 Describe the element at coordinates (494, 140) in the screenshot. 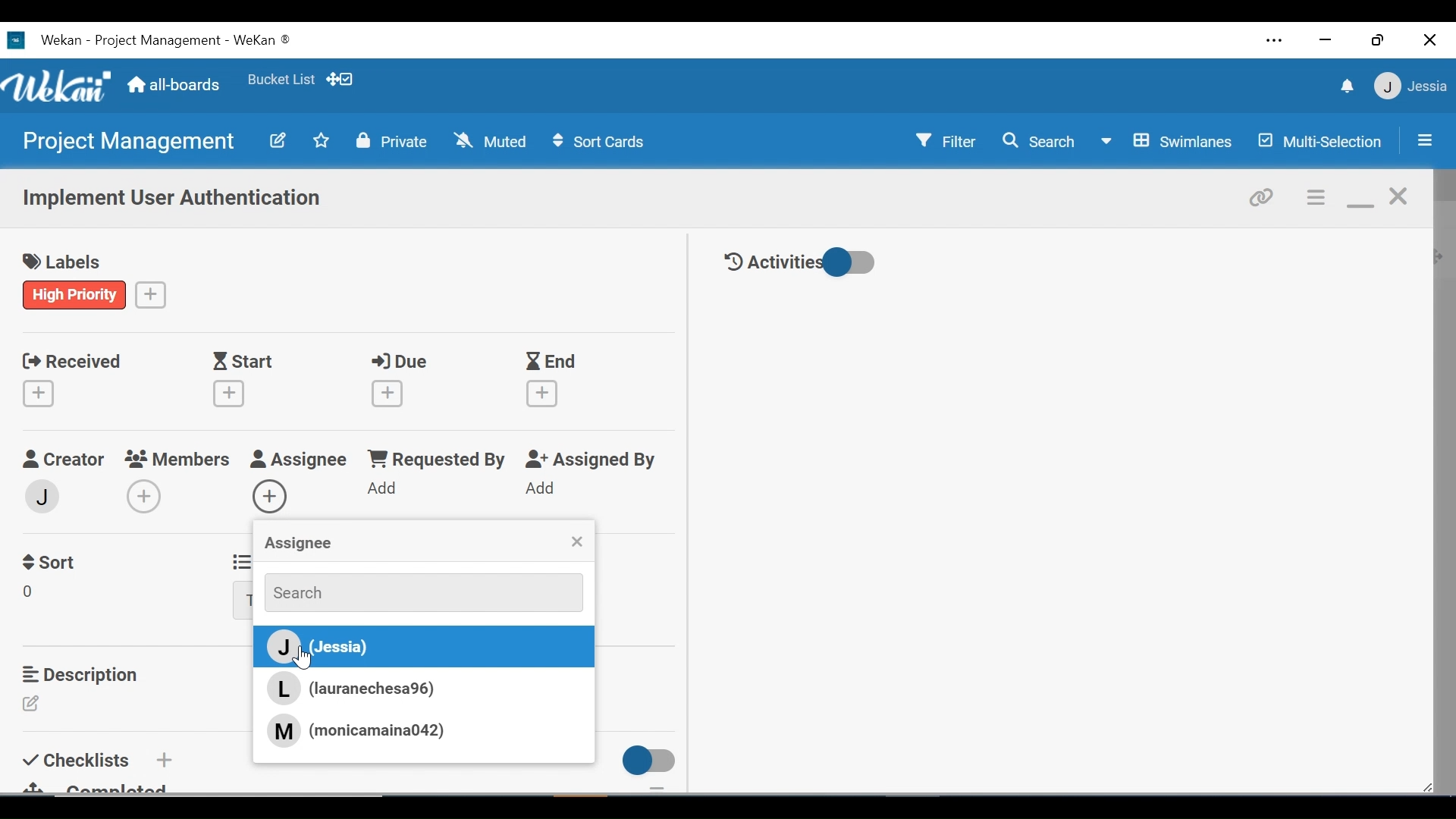

I see `Muted` at that location.